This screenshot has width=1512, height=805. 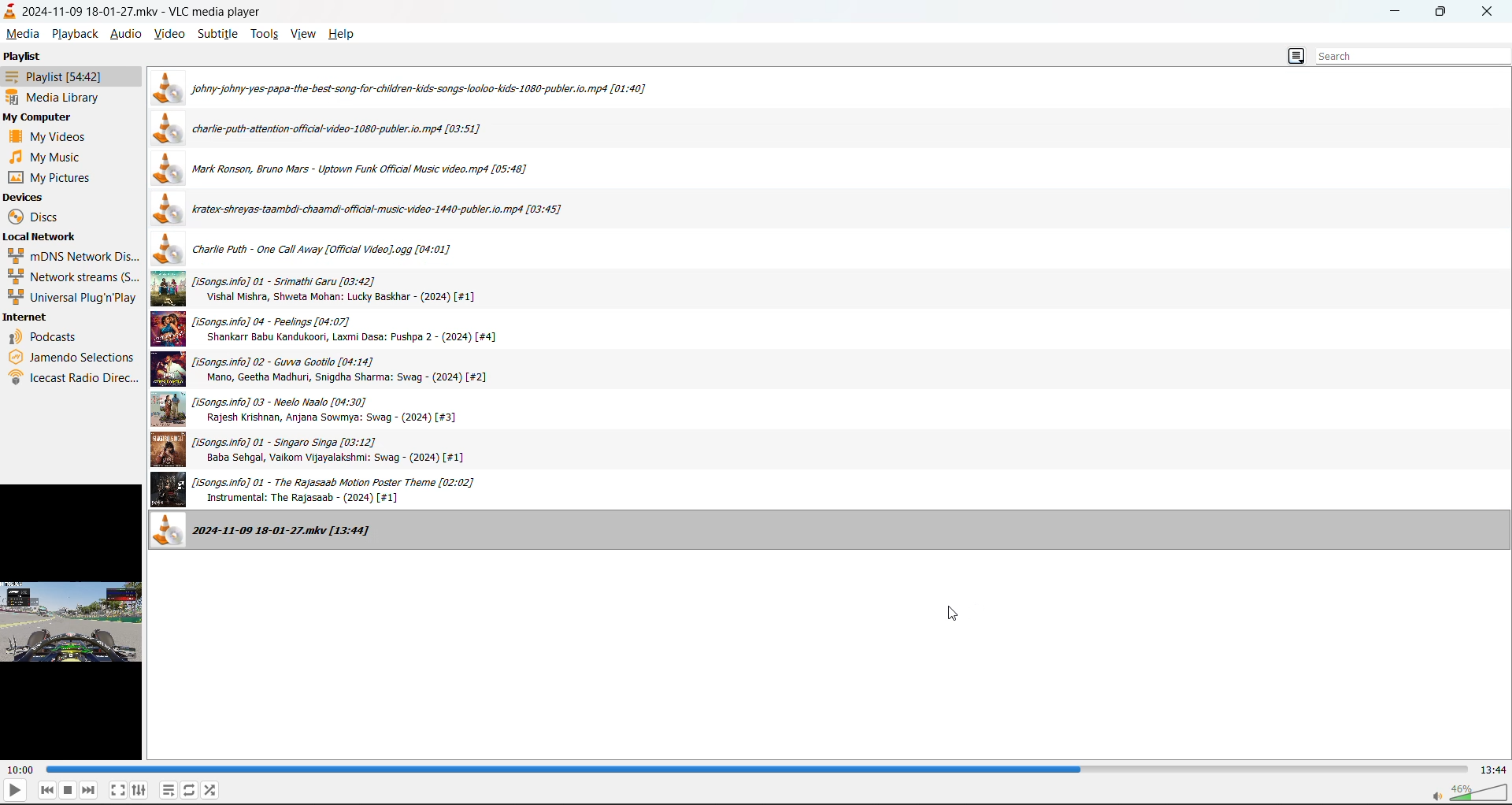 What do you see at coordinates (268, 33) in the screenshot?
I see `tools` at bounding box center [268, 33].